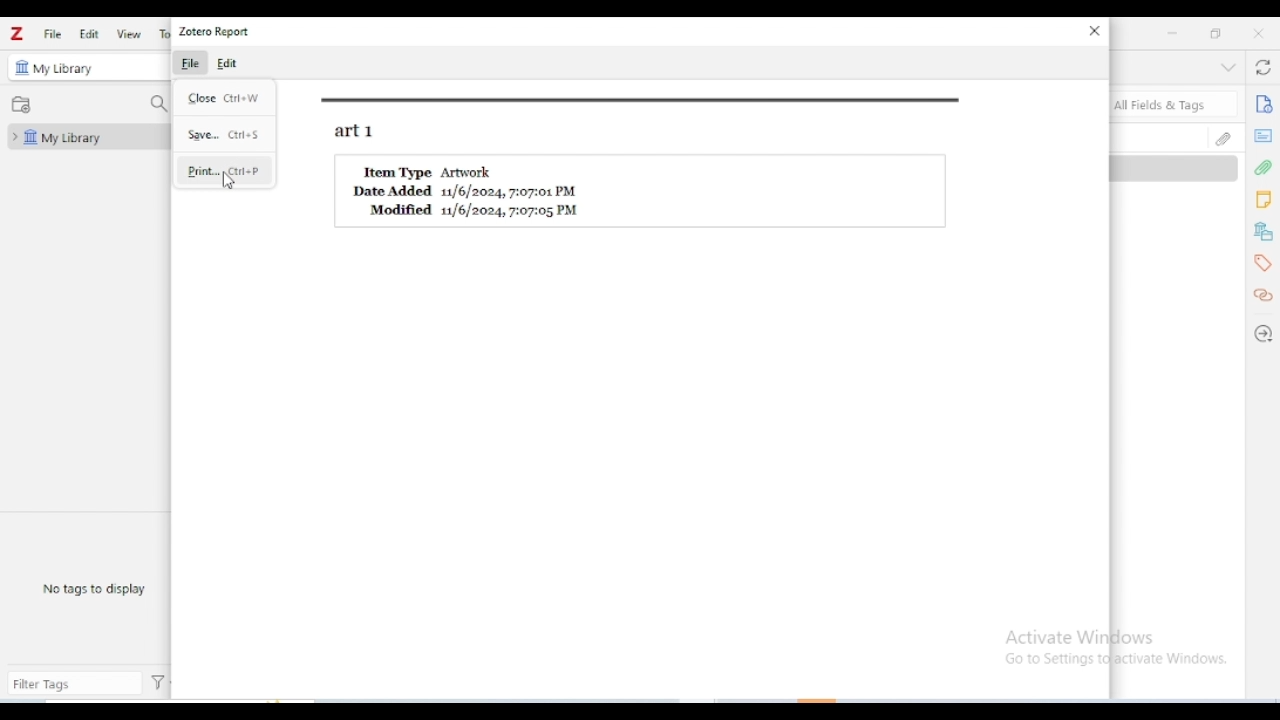  Describe the element at coordinates (158, 683) in the screenshot. I see `actions` at that location.